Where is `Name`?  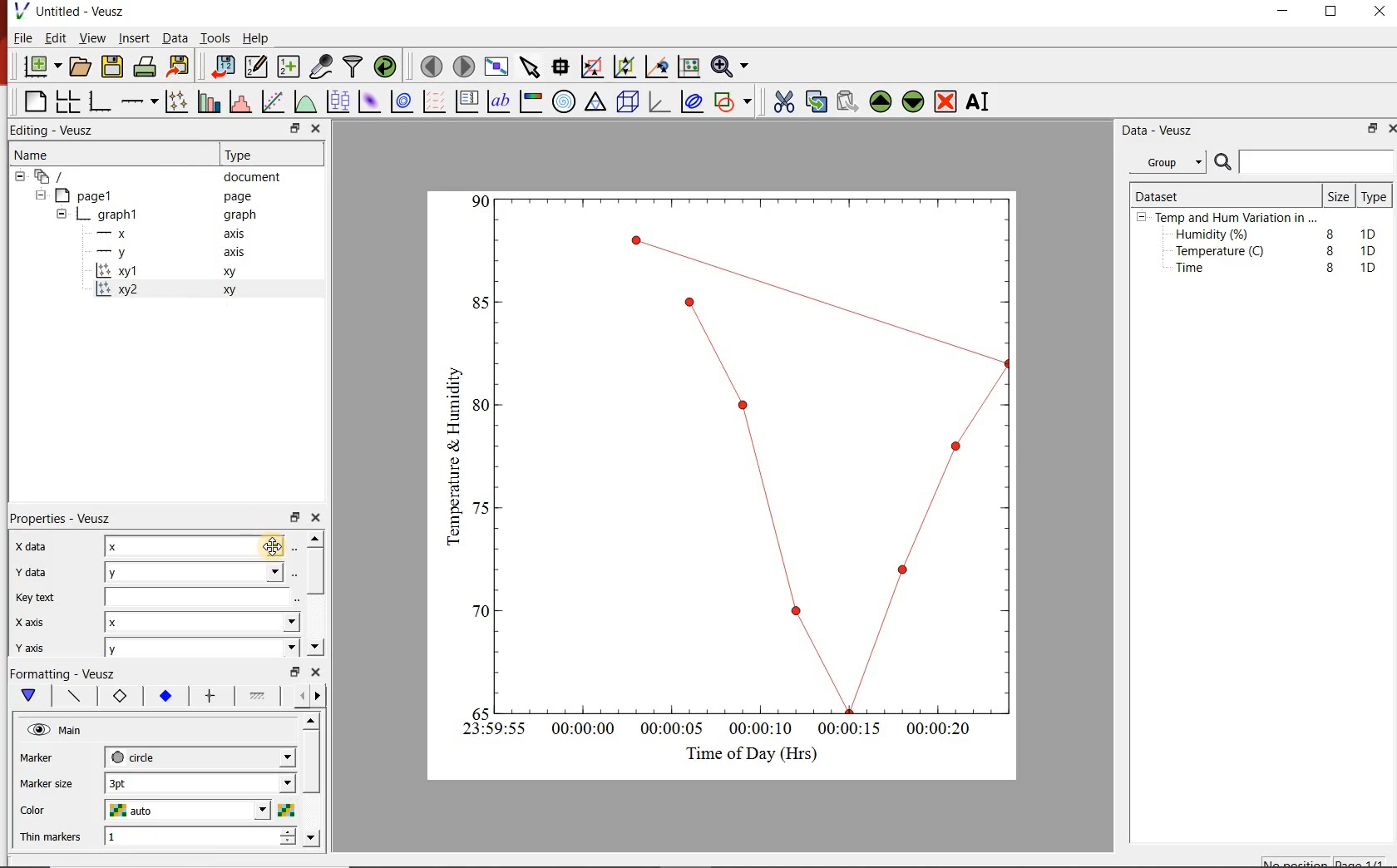
Name is located at coordinates (47, 156).